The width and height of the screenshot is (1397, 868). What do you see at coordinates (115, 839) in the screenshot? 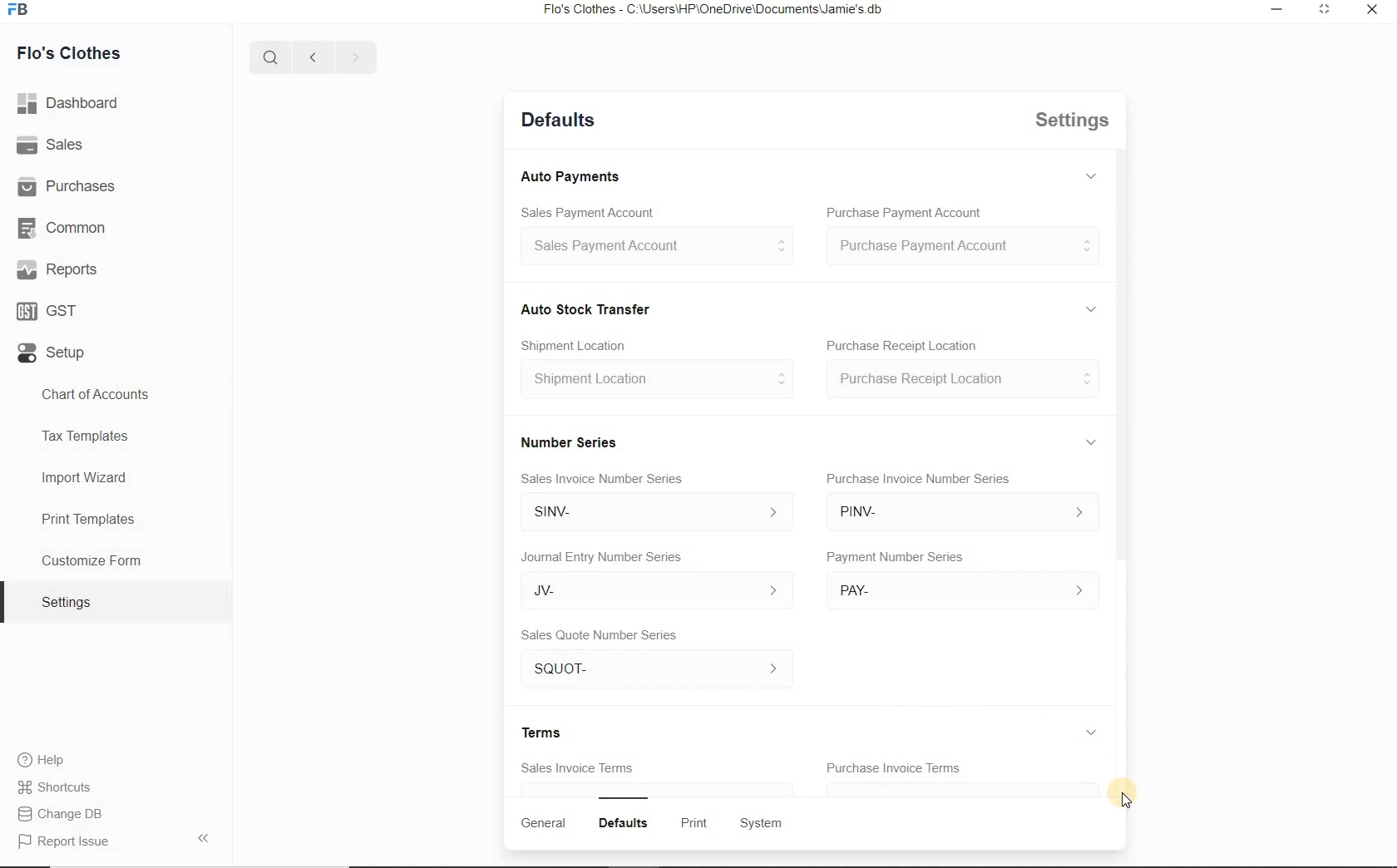
I see `Report Issue` at bounding box center [115, 839].